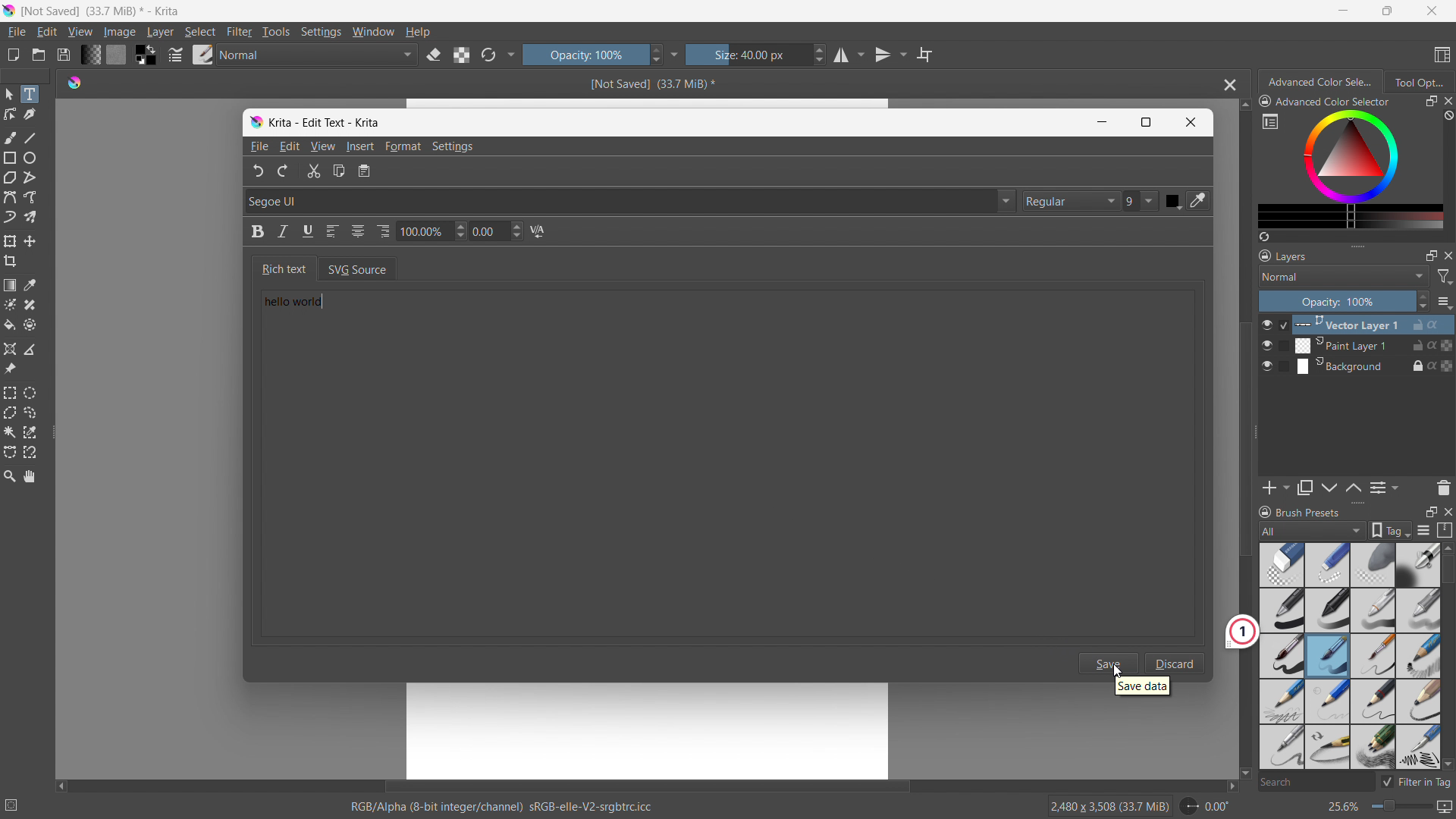 The width and height of the screenshot is (1456, 819). I want to click on tool options, so click(1418, 81).